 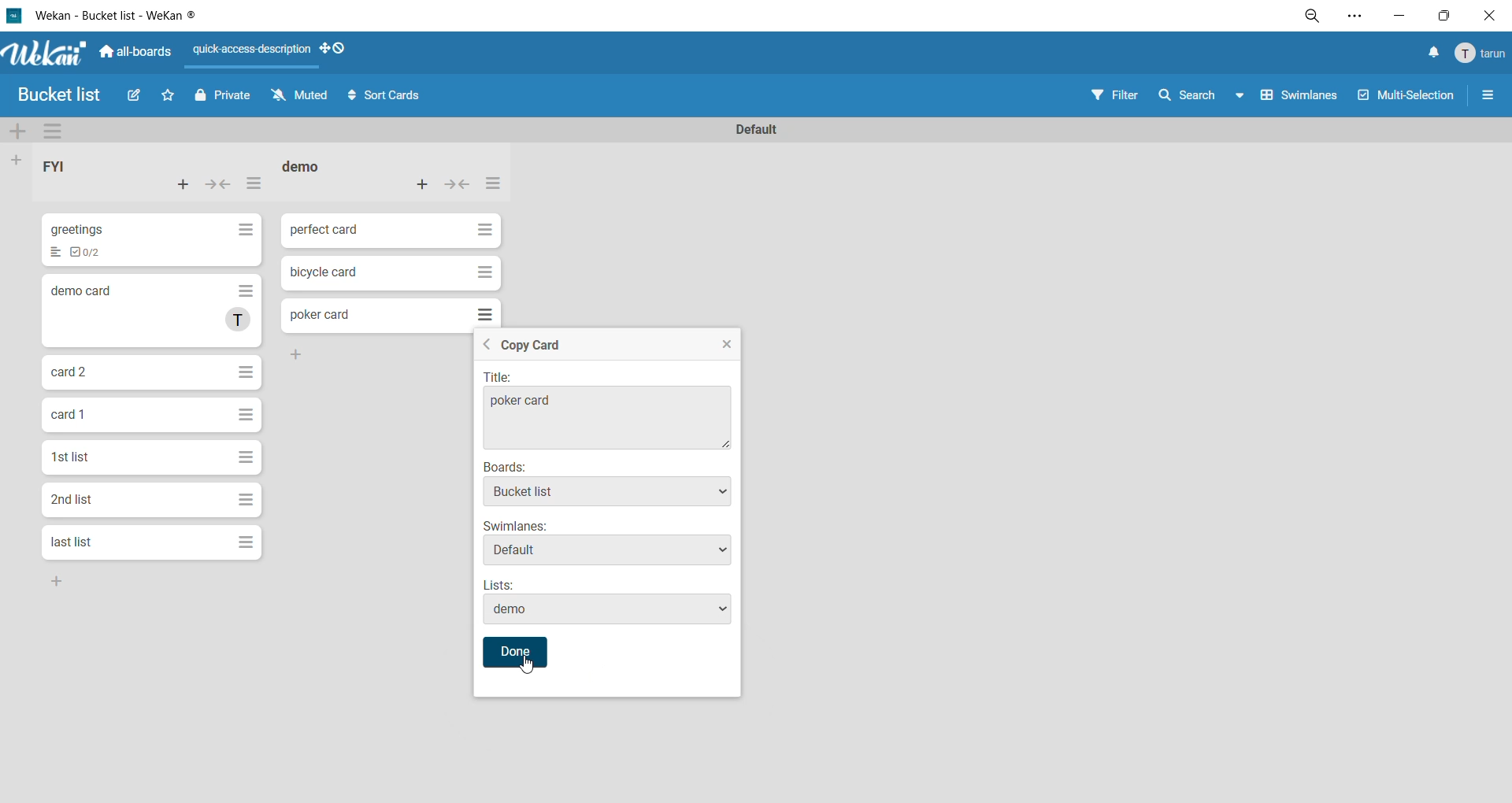 What do you see at coordinates (136, 50) in the screenshot?
I see `all boards` at bounding box center [136, 50].